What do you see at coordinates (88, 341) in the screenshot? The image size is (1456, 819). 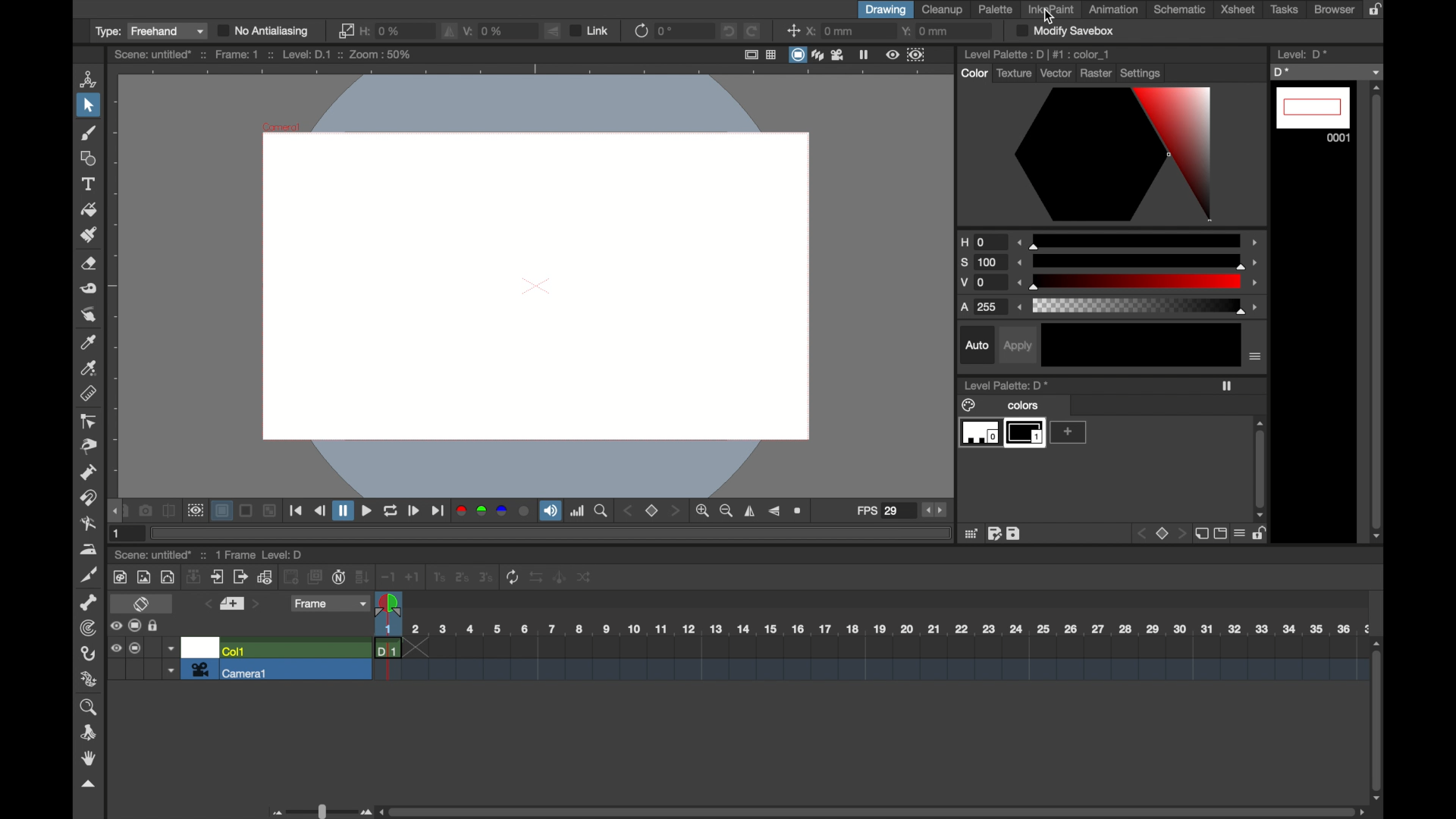 I see `color picker tool` at bounding box center [88, 341].